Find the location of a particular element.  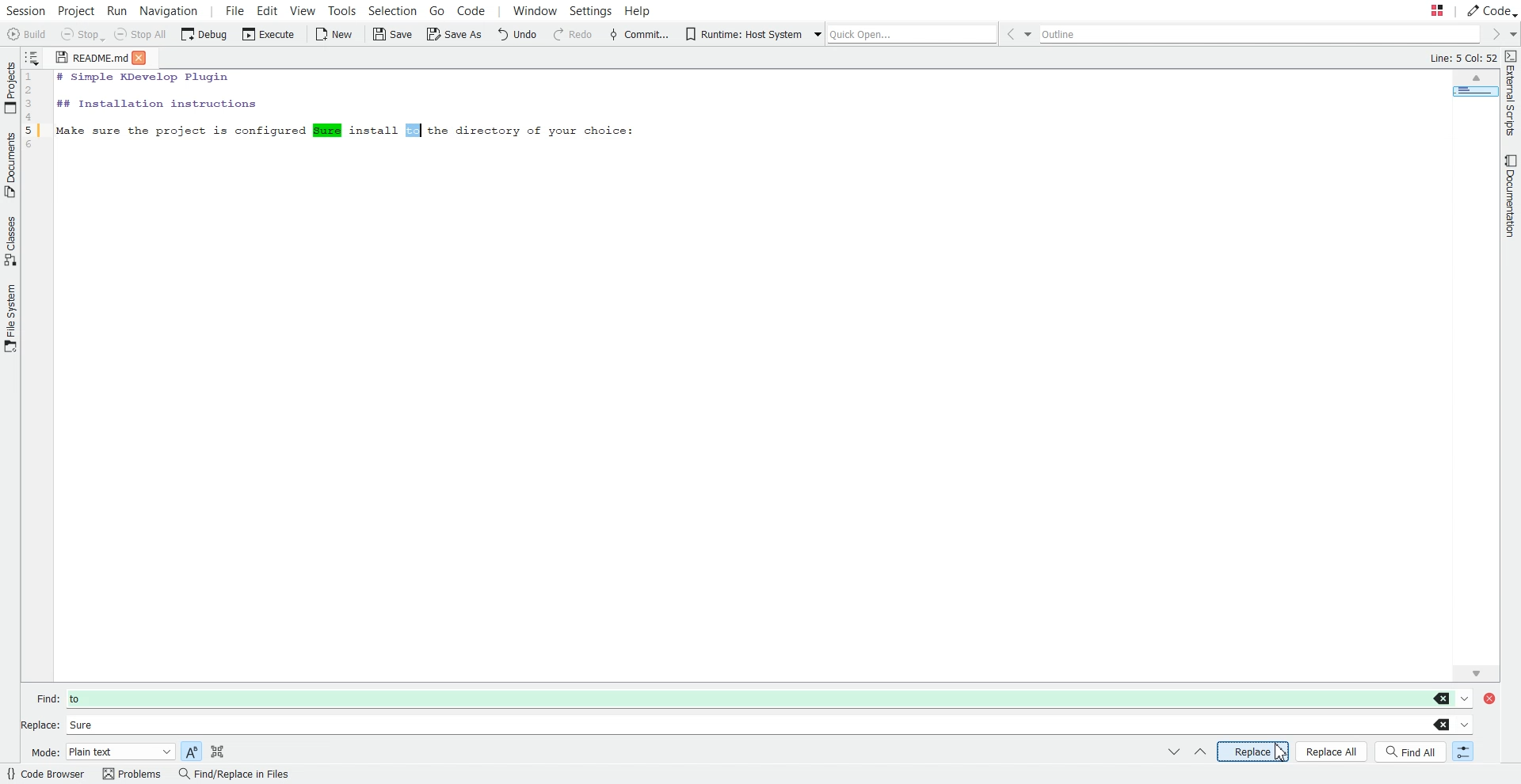

Execute is located at coordinates (266, 35).